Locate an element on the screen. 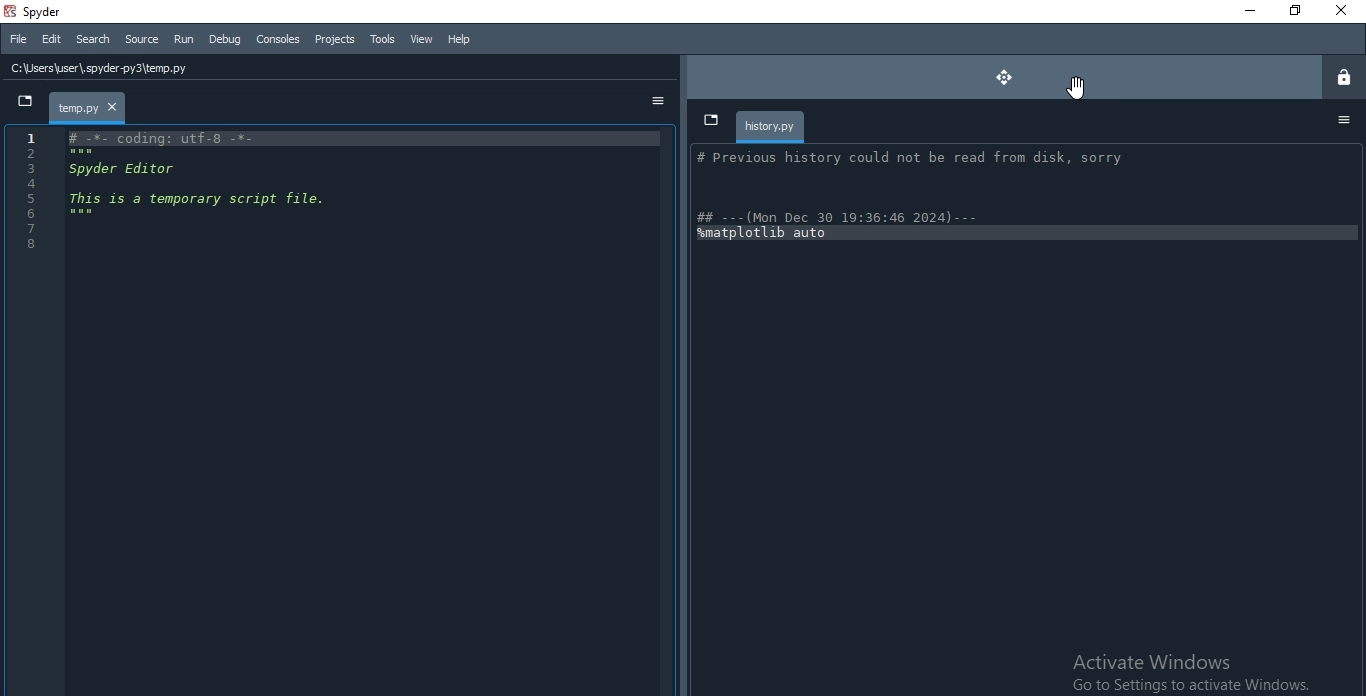 The image size is (1366, 696). Edit is located at coordinates (50, 41).